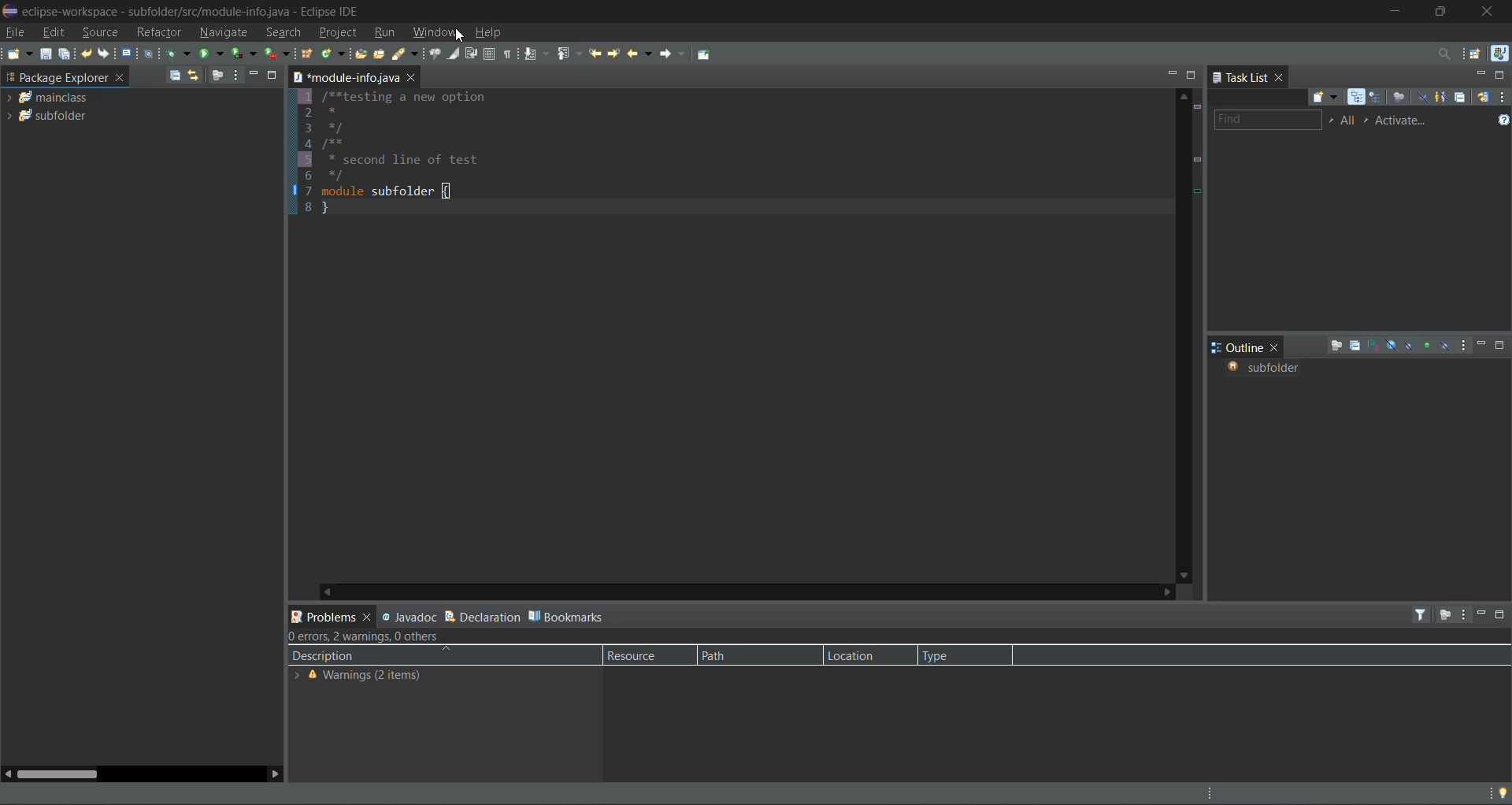  I want to click on cursor, so click(461, 35).